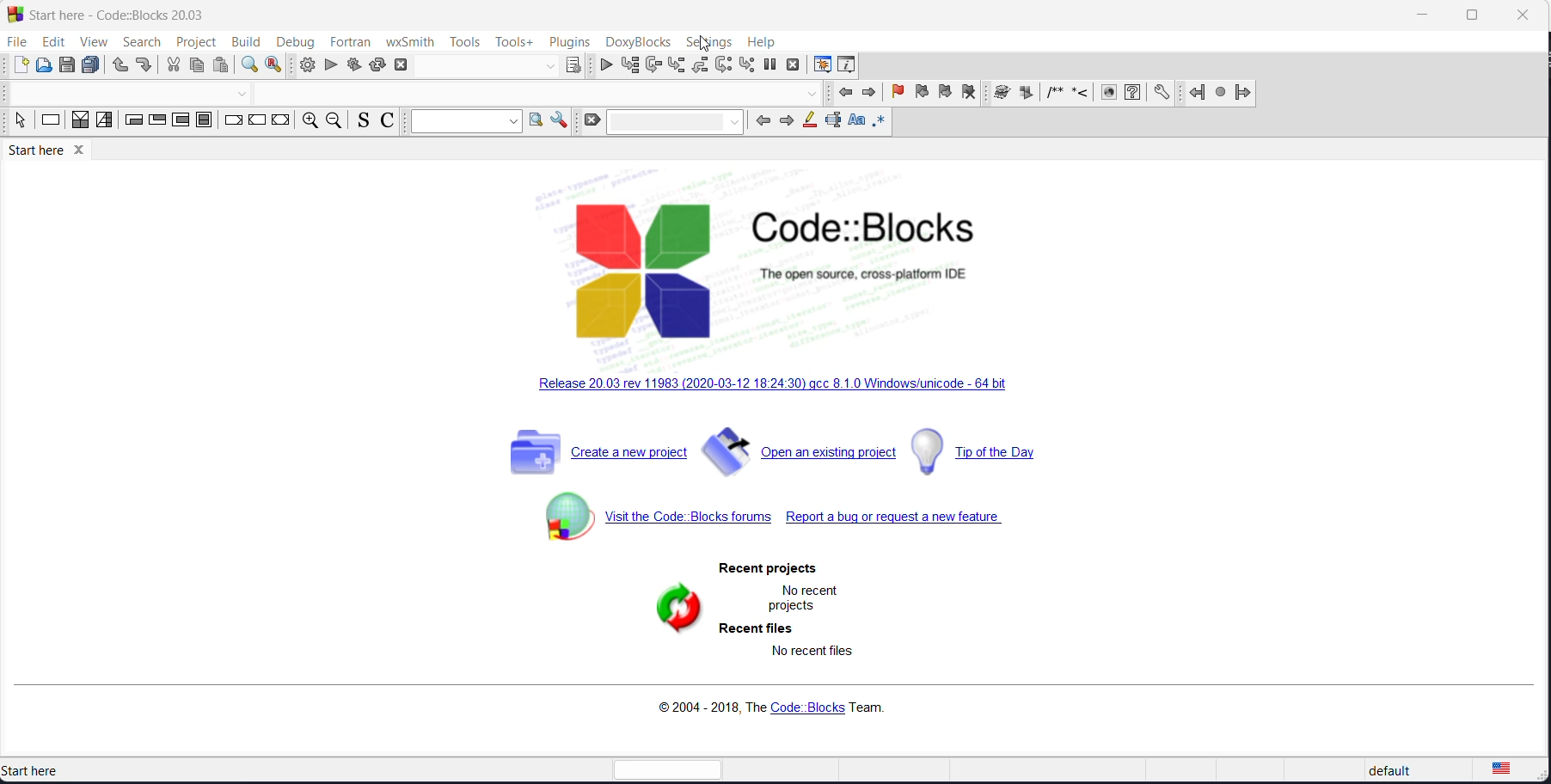 This screenshot has height=784, width=1551. I want to click on tip of the day, so click(994, 454).